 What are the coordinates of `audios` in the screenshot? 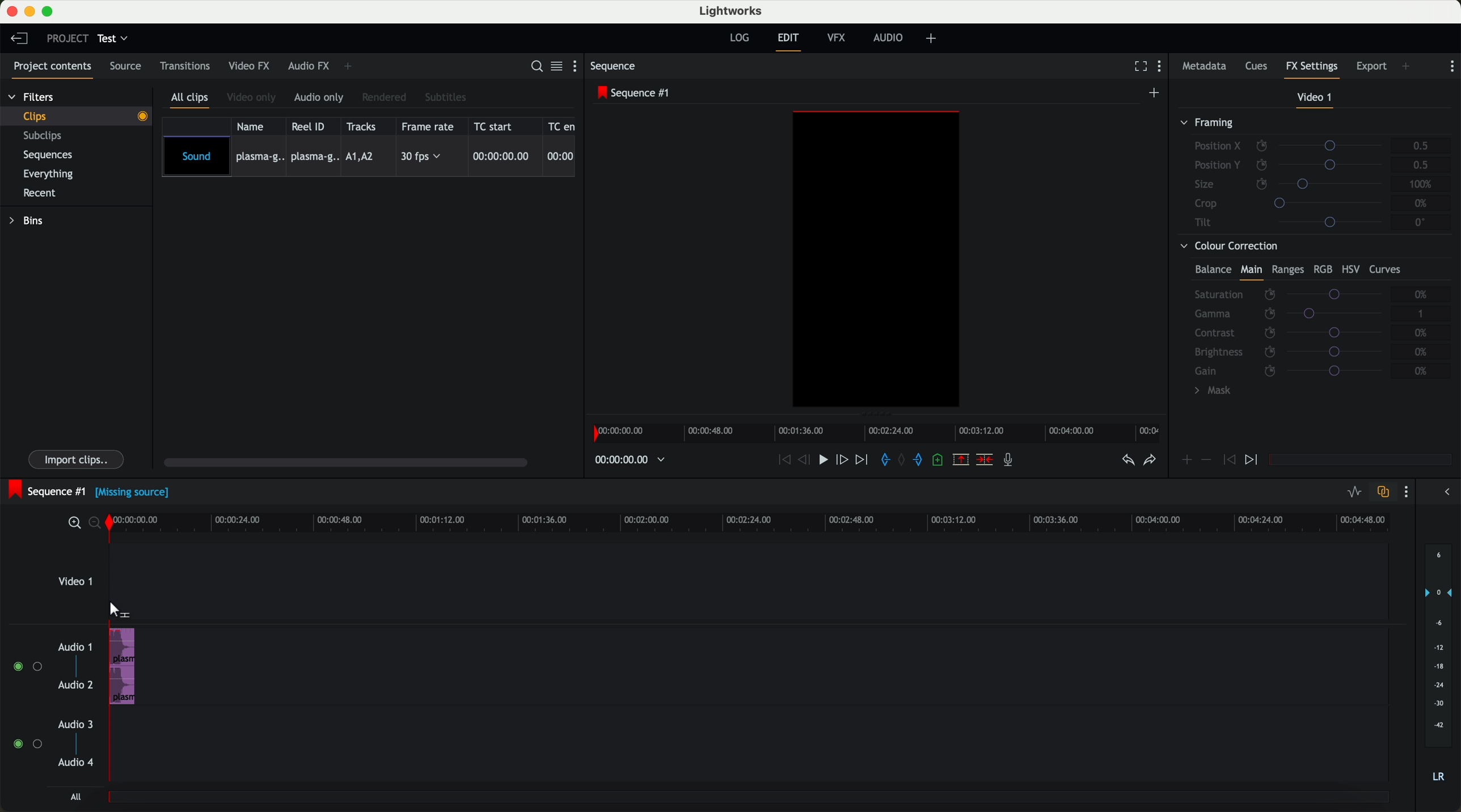 It's located at (50, 706).